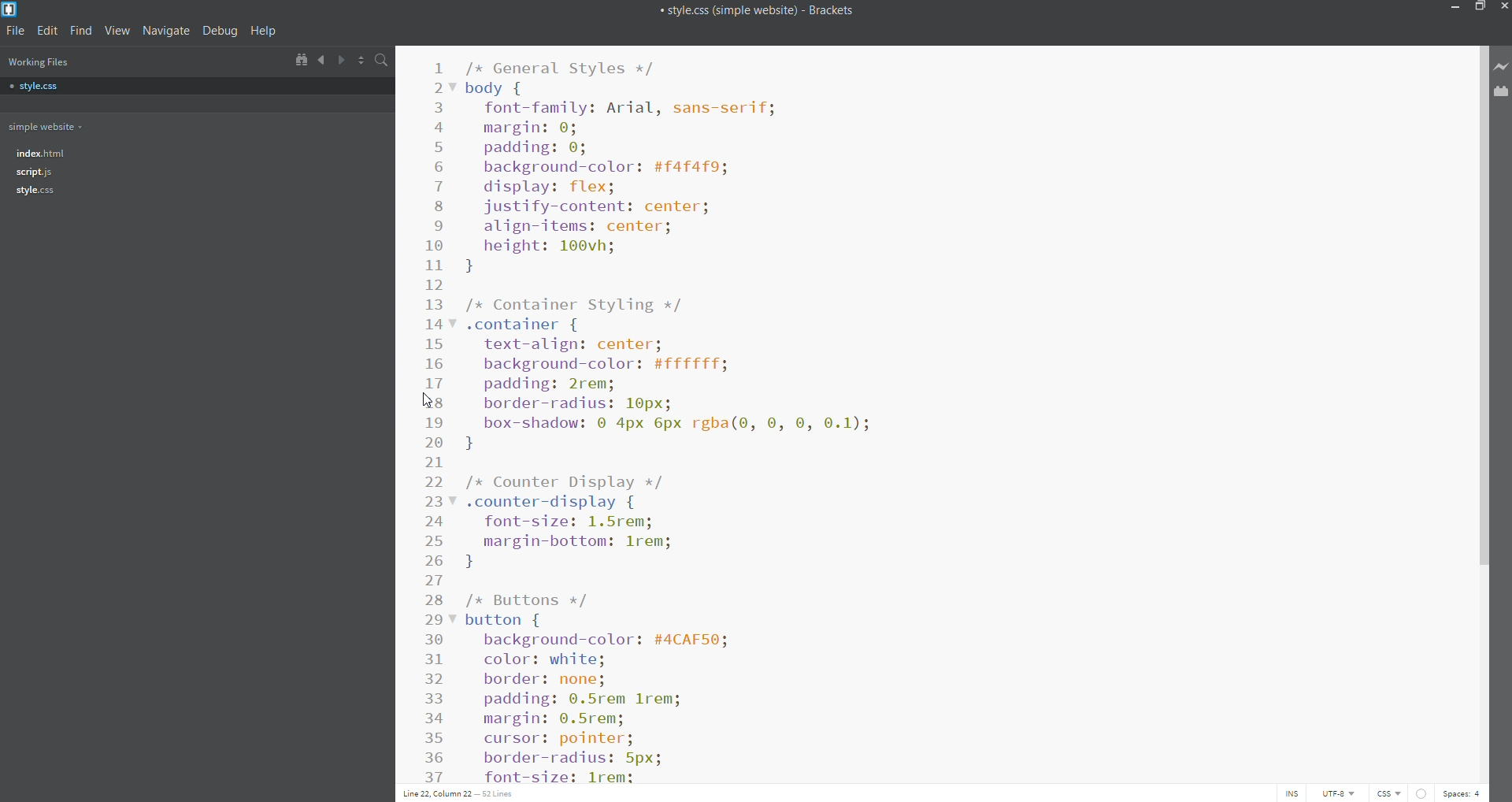 The image size is (1512, 802). What do you see at coordinates (115, 125) in the screenshot?
I see `working folder` at bounding box center [115, 125].